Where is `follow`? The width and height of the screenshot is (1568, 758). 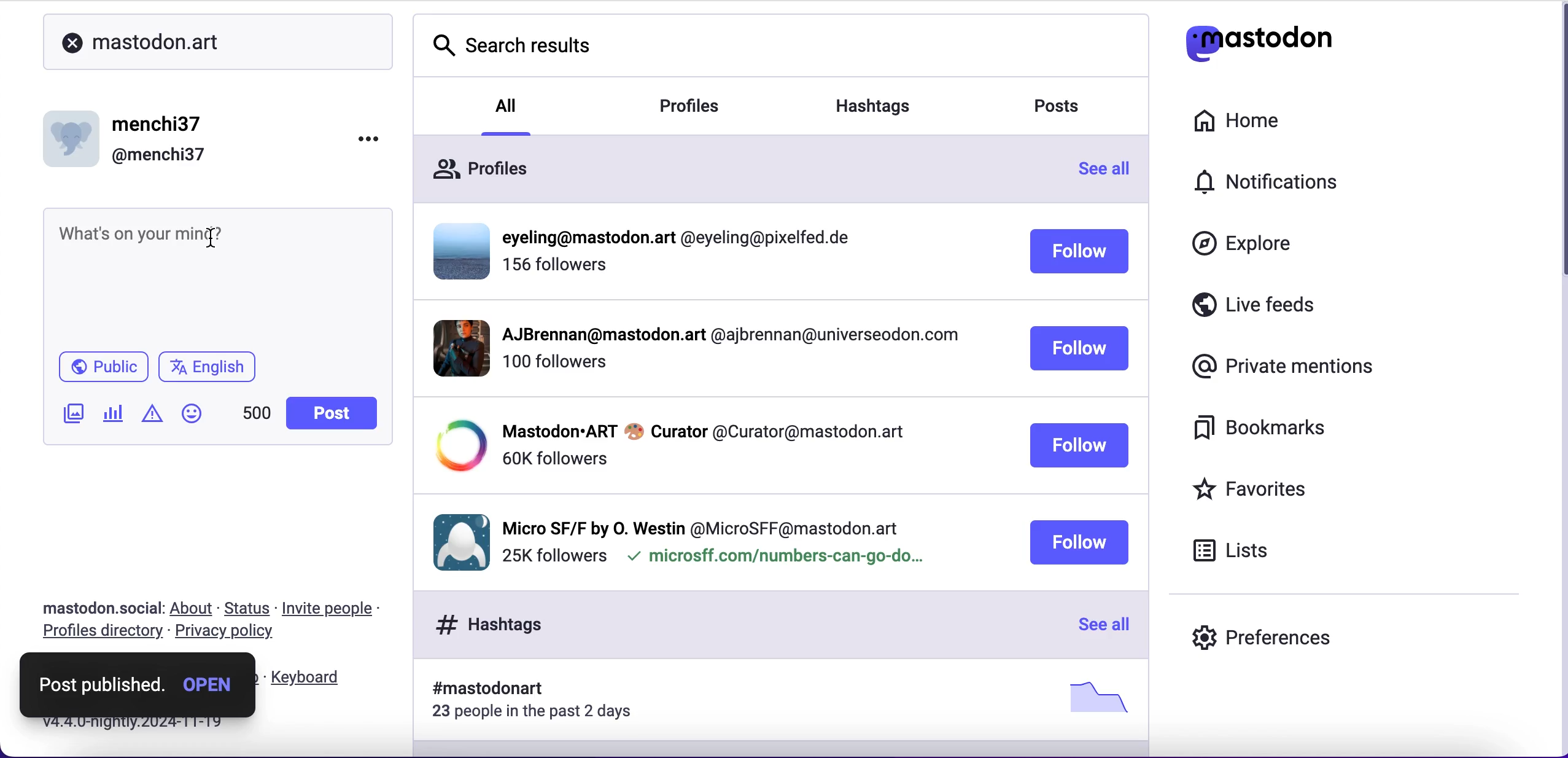 follow is located at coordinates (1080, 350).